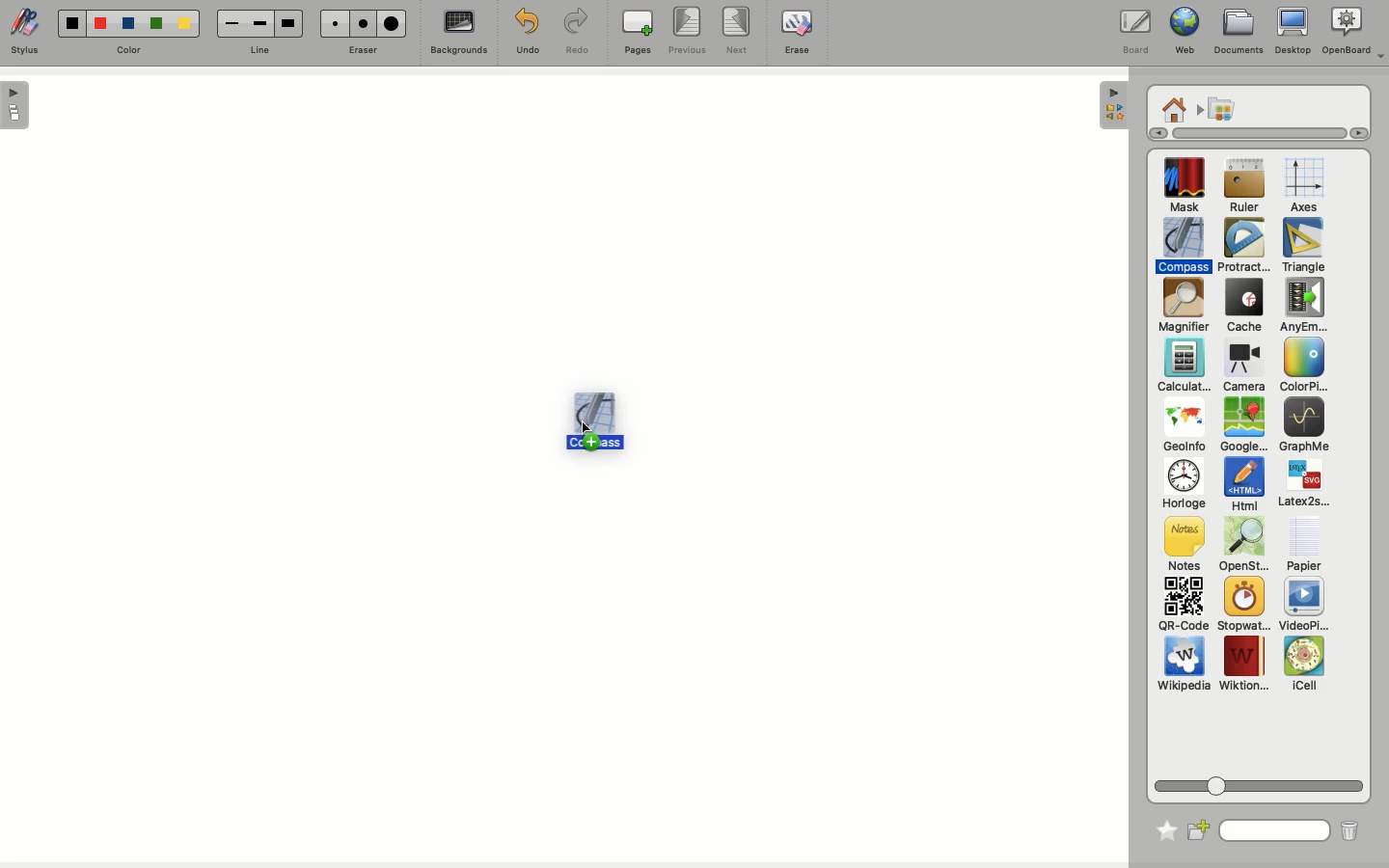 The height and width of the screenshot is (868, 1389). I want to click on Stopwatch, so click(1242, 606).